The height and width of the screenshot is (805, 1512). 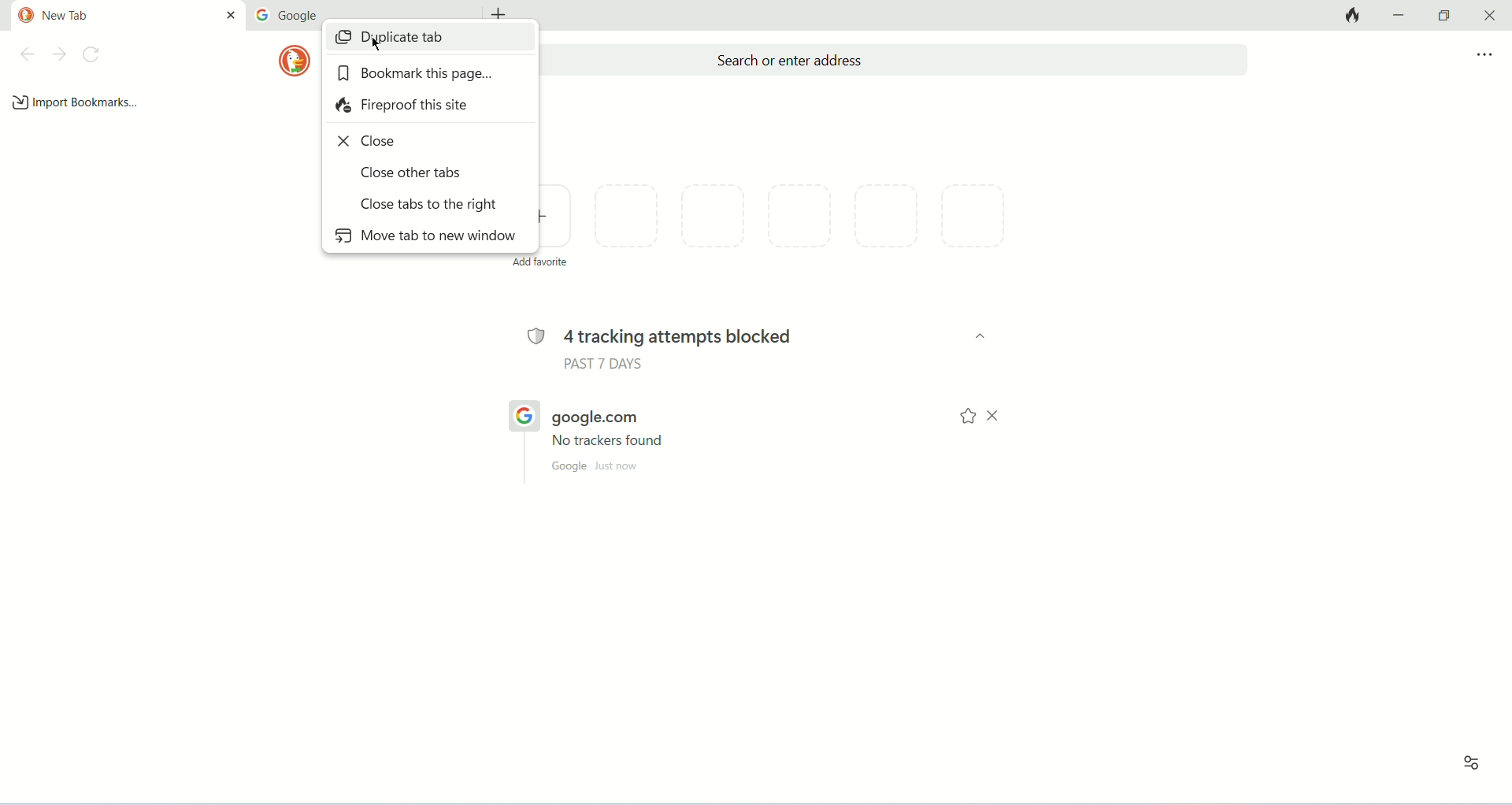 What do you see at coordinates (405, 106) in the screenshot?
I see `fireproof this site` at bounding box center [405, 106].